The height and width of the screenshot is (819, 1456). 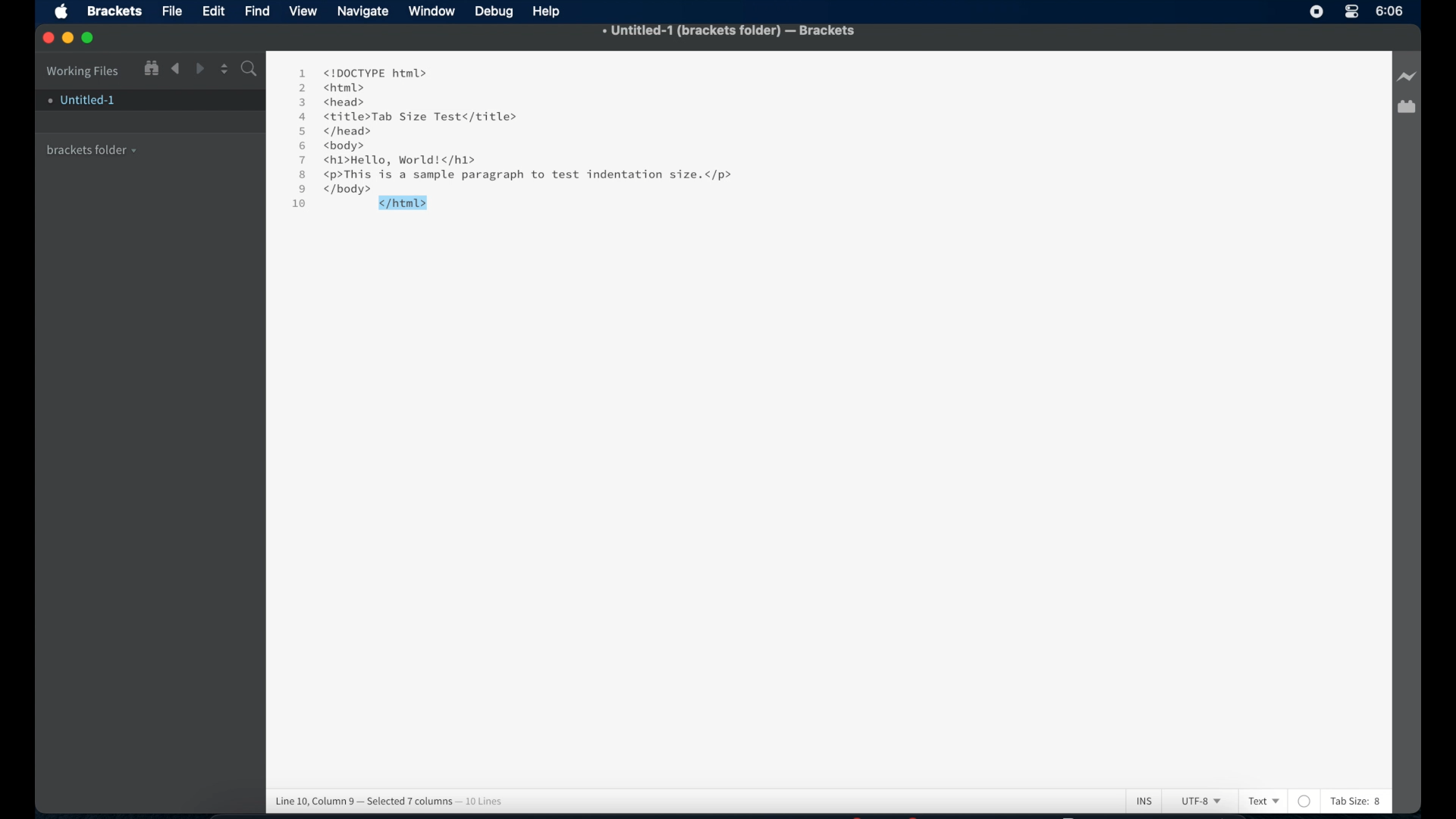 What do you see at coordinates (71, 38) in the screenshot?
I see `Minimize` at bounding box center [71, 38].